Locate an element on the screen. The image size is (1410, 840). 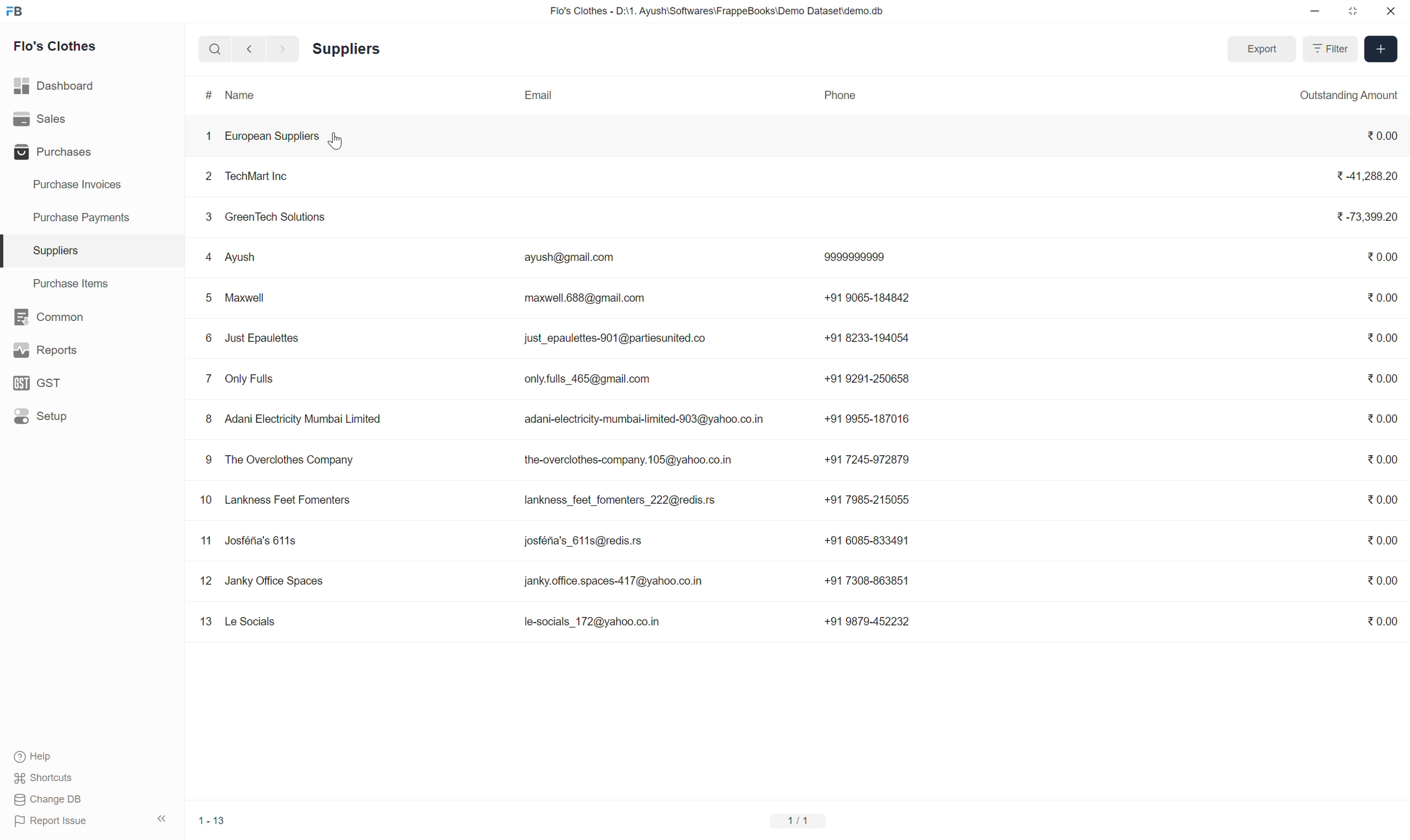
20.00 is located at coordinates (1377, 375).